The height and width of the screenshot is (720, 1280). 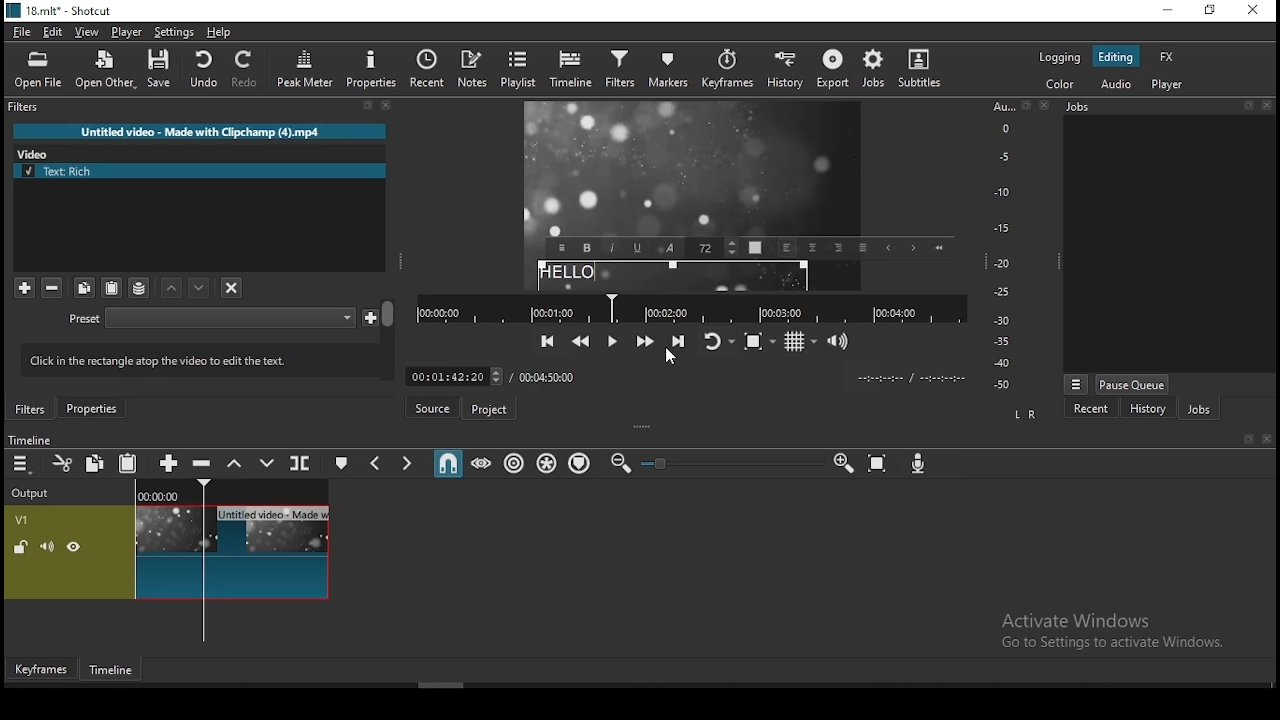 I want to click on create/edit marker, so click(x=339, y=462).